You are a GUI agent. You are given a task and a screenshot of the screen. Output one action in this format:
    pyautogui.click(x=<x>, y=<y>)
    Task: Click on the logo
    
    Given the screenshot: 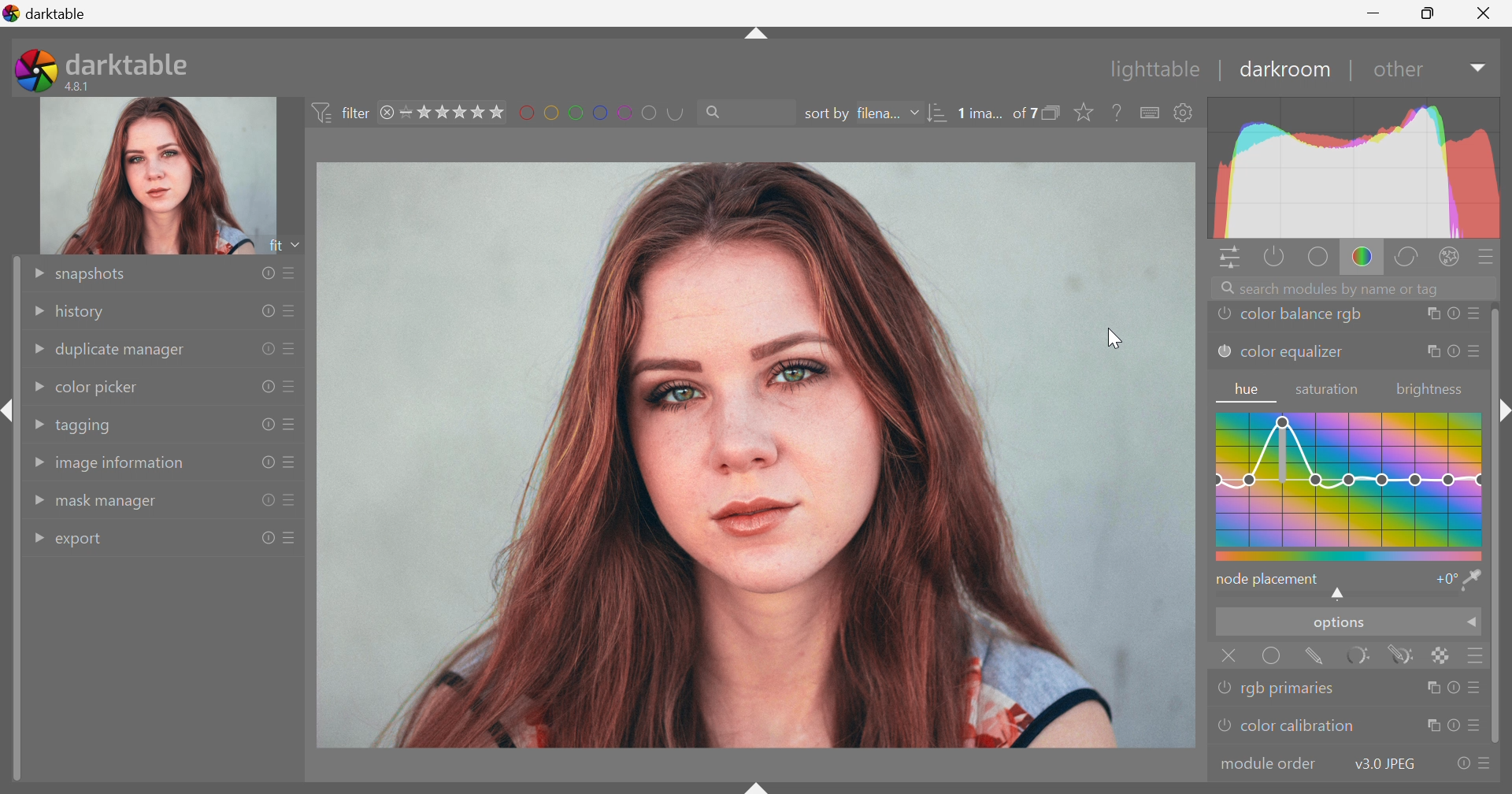 What is the action you would take?
    pyautogui.click(x=12, y=13)
    